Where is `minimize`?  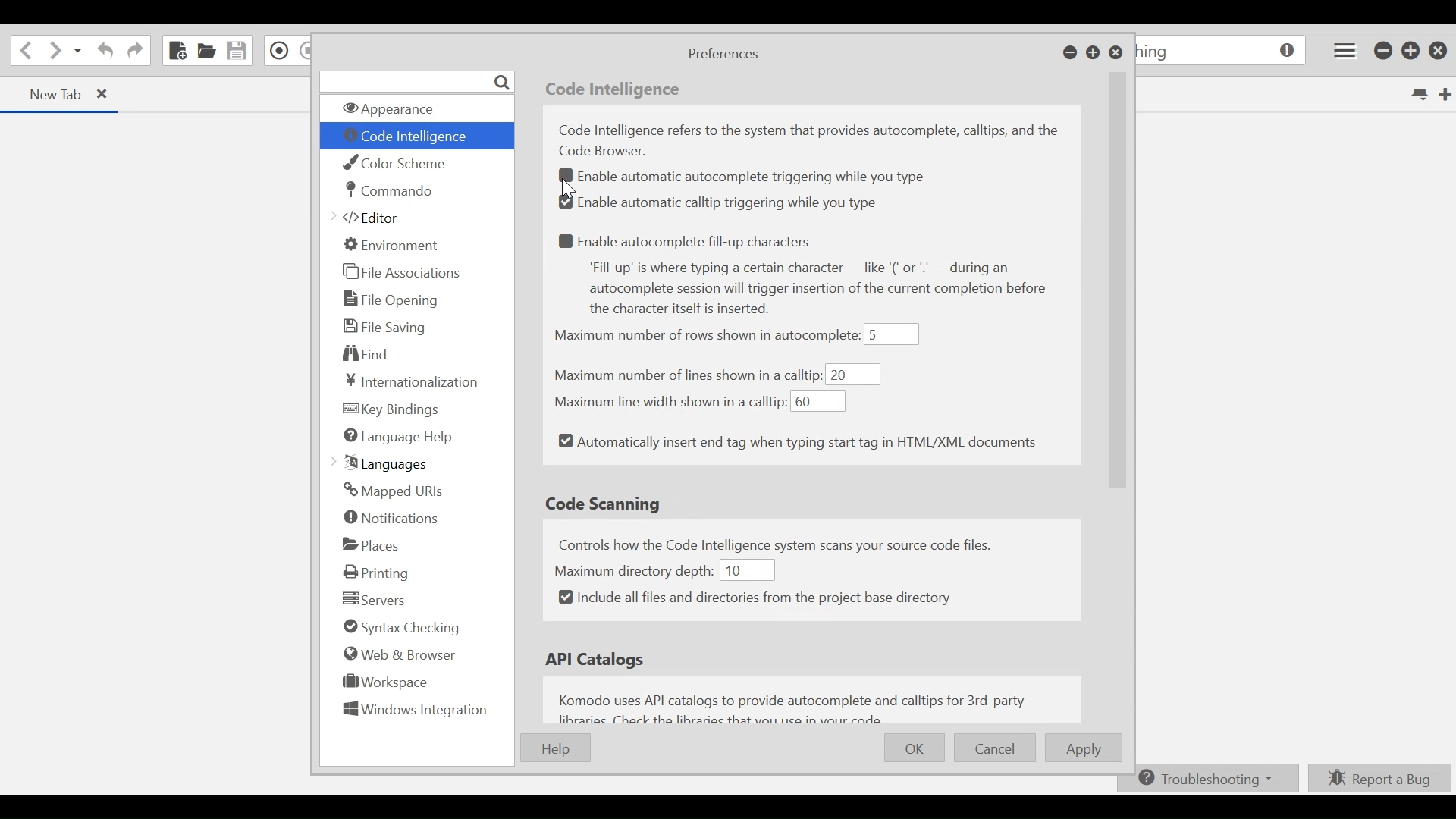 minimize is located at coordinates (1384, 52).